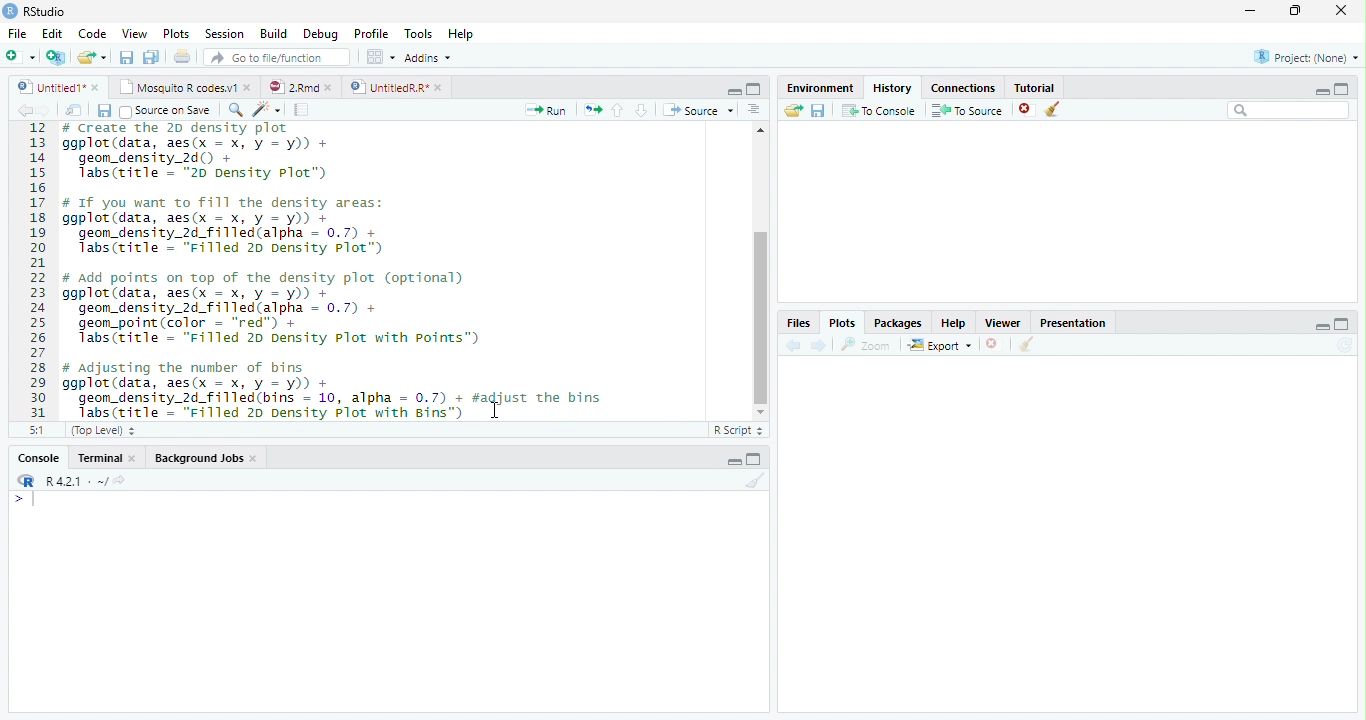 This screenshot has width=1366, height=720. Describe the element at coordinates (735, 92) in the screenshot. I see `minimize` at that location.